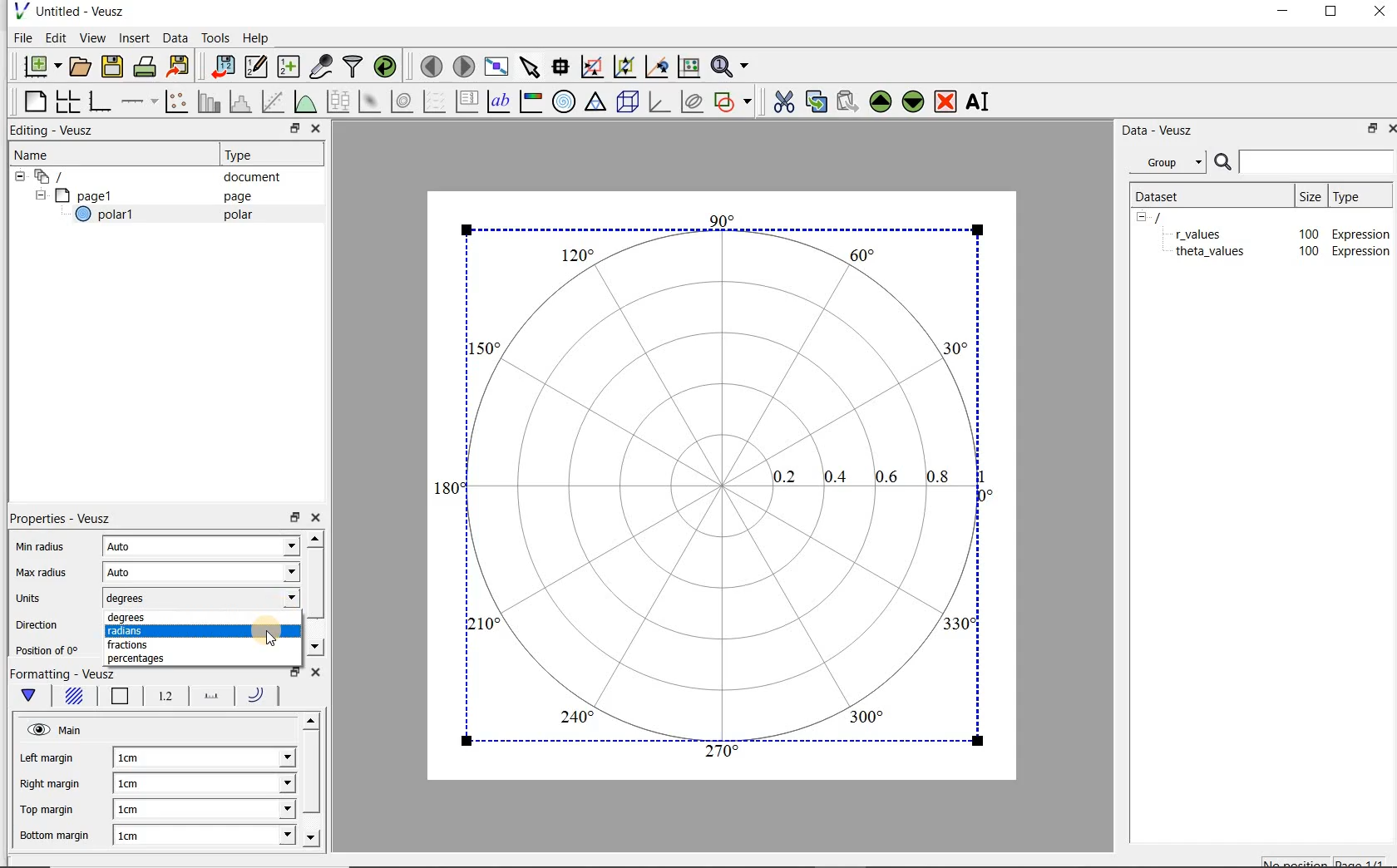 The image size is (1397, 868). I want to click on hide sub menu, so click(16, 175).